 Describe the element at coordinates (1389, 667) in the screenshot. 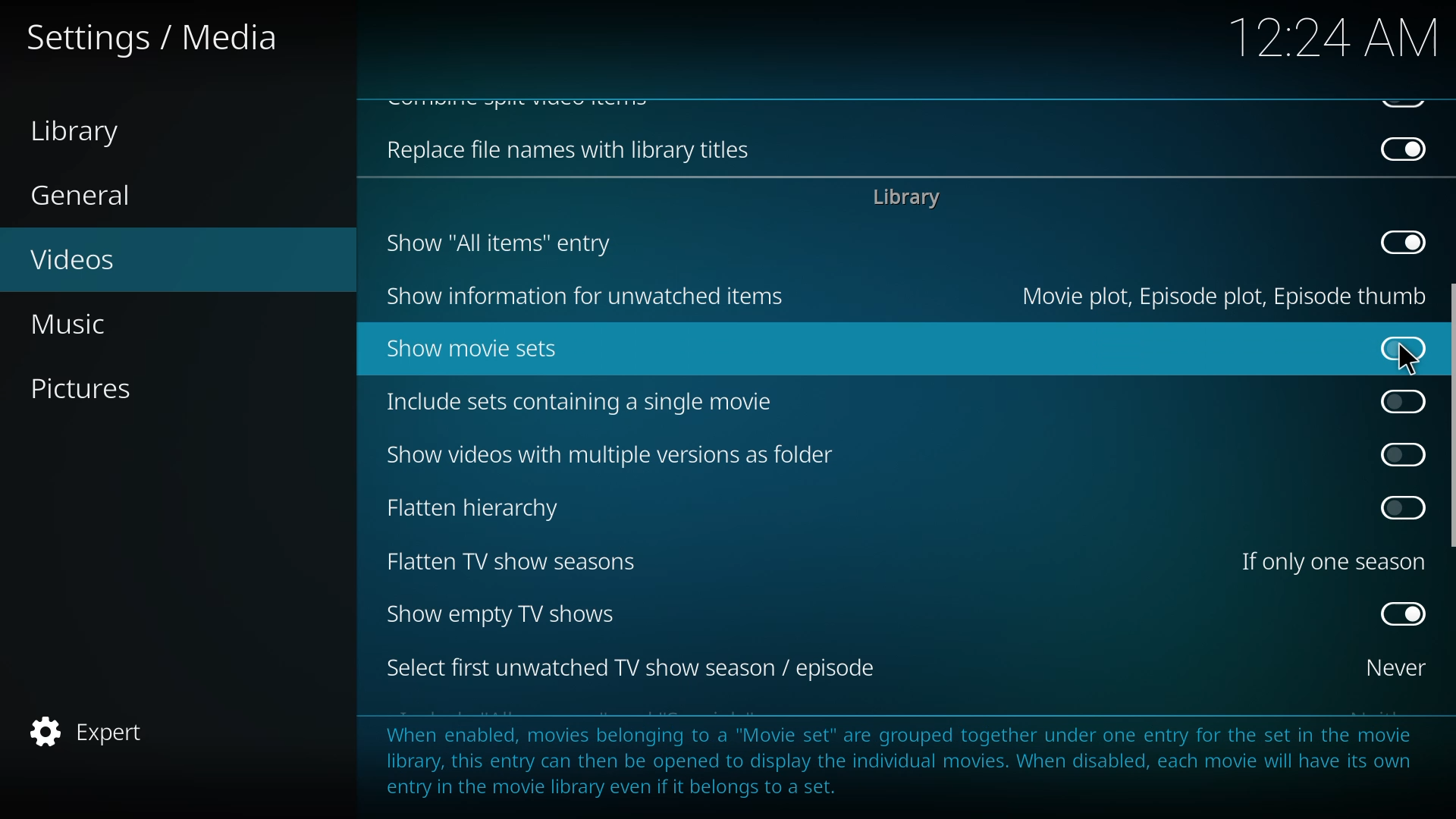

I see `never` at that location.